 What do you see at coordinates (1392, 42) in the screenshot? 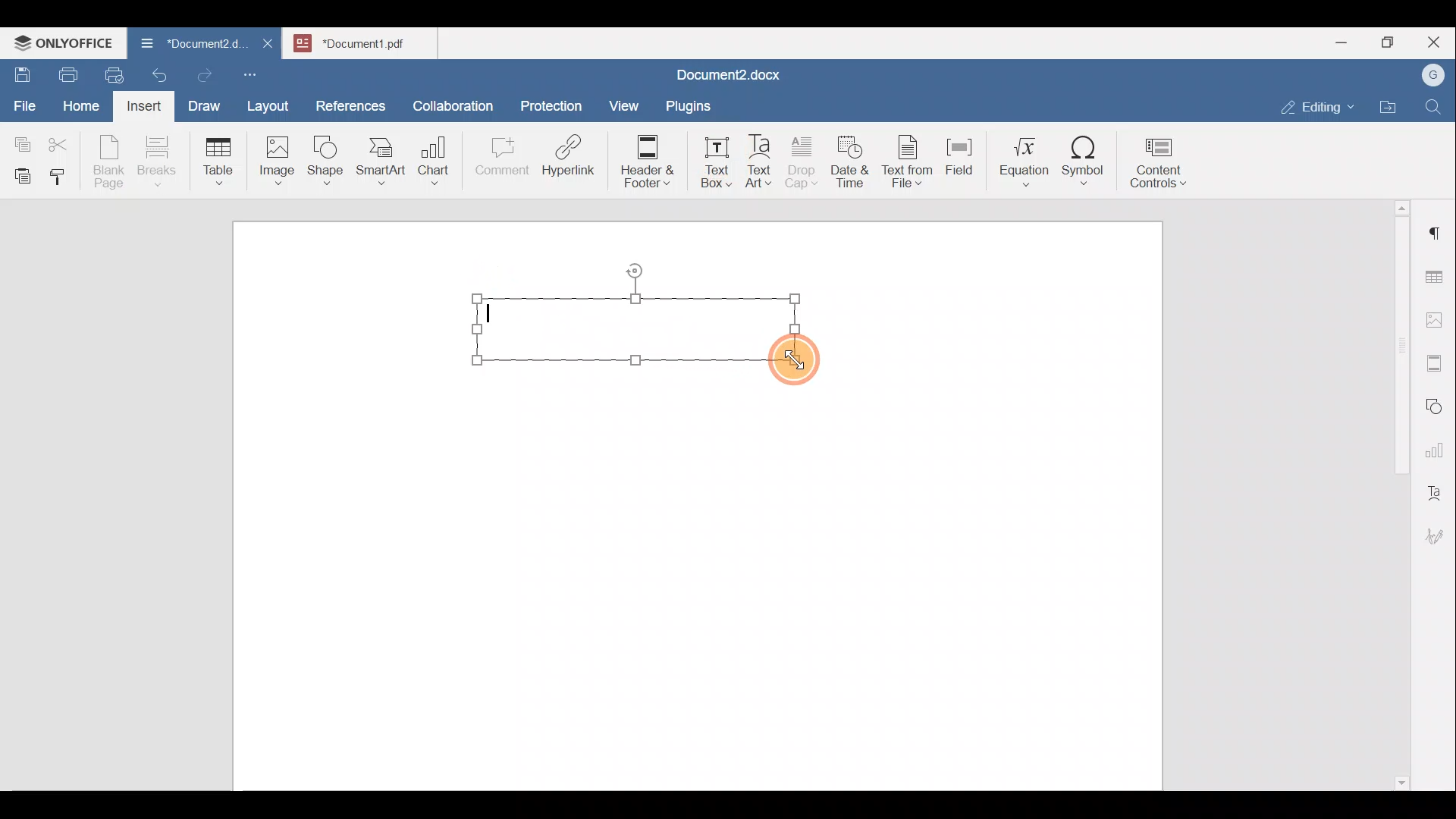
I see `Maximize` at bounding box center [1392, 42].